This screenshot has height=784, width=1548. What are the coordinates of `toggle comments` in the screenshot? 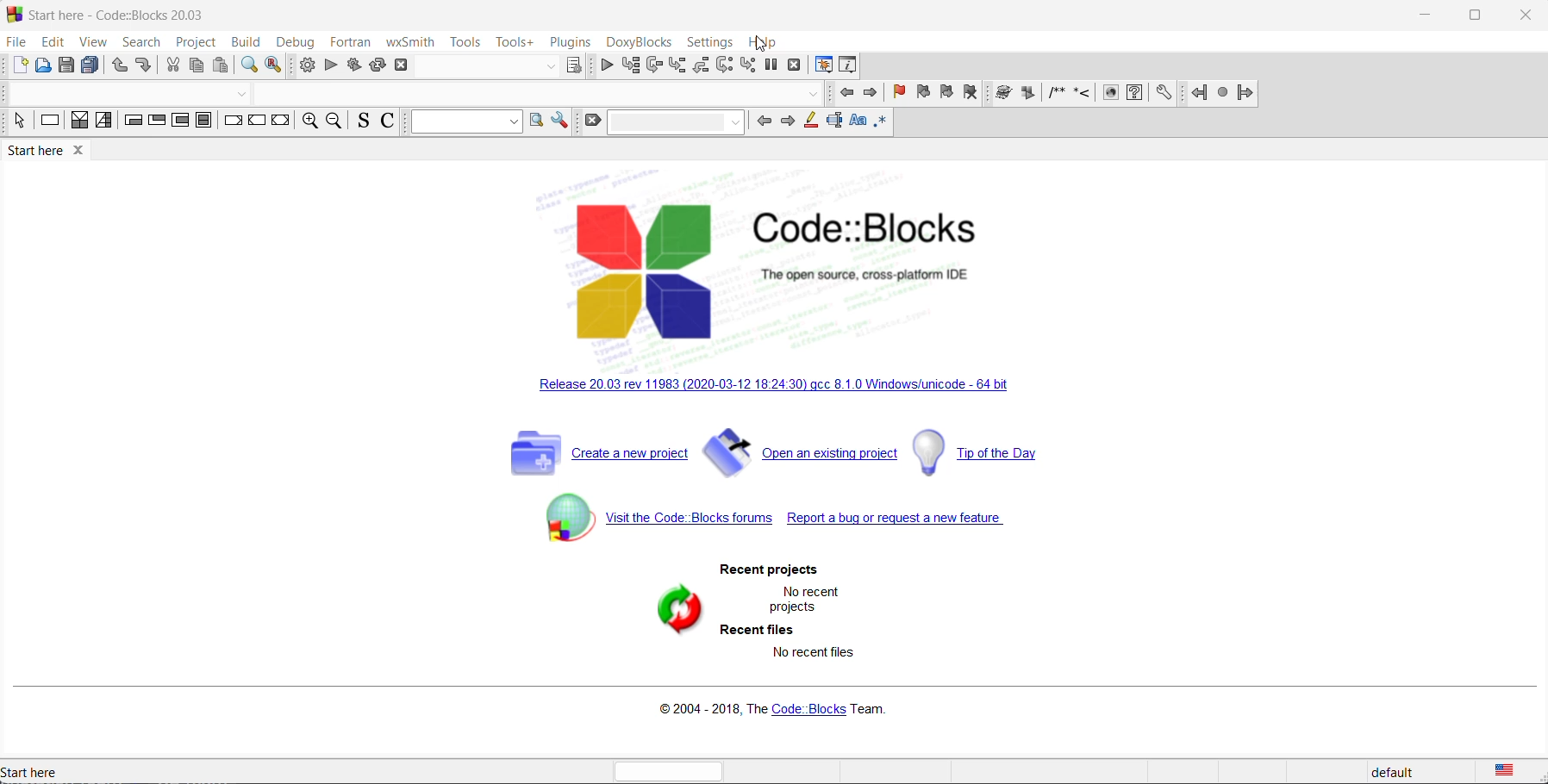 It's located at (386, 123).